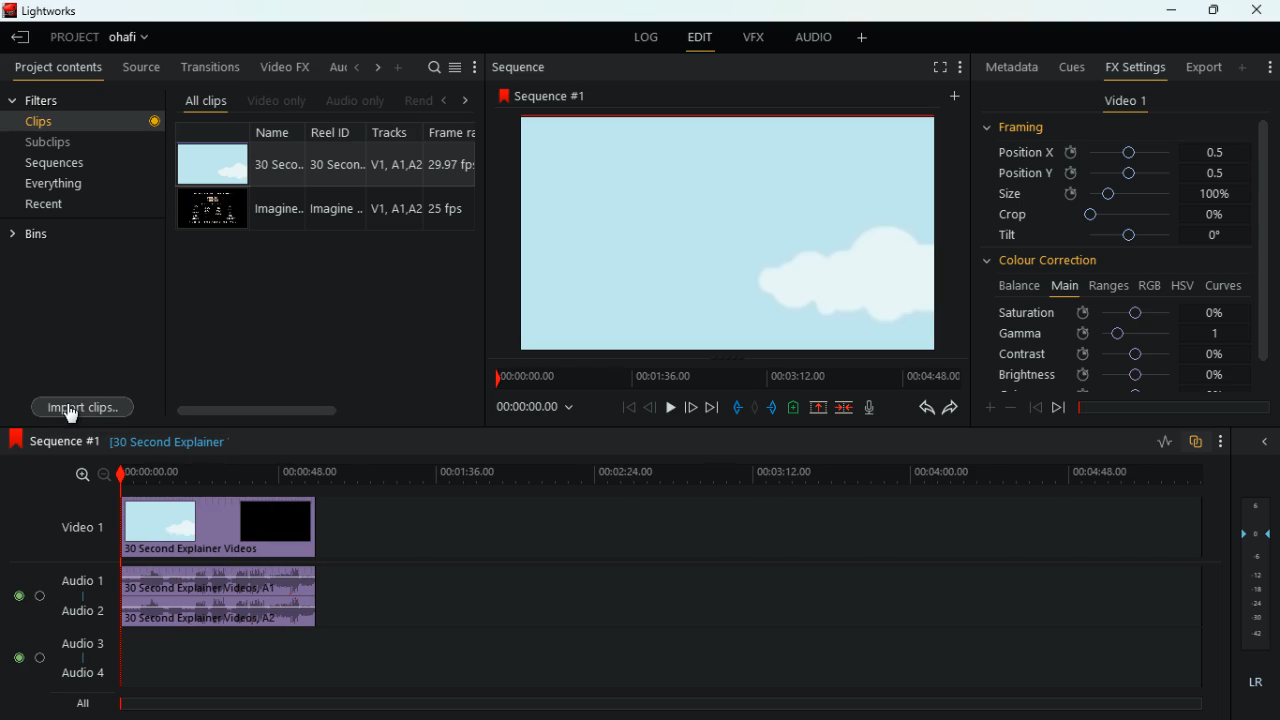 The image size is (1280, 720). Describe the element at coordinates (1244, 67) in the screenshot. I see `more` at that location.